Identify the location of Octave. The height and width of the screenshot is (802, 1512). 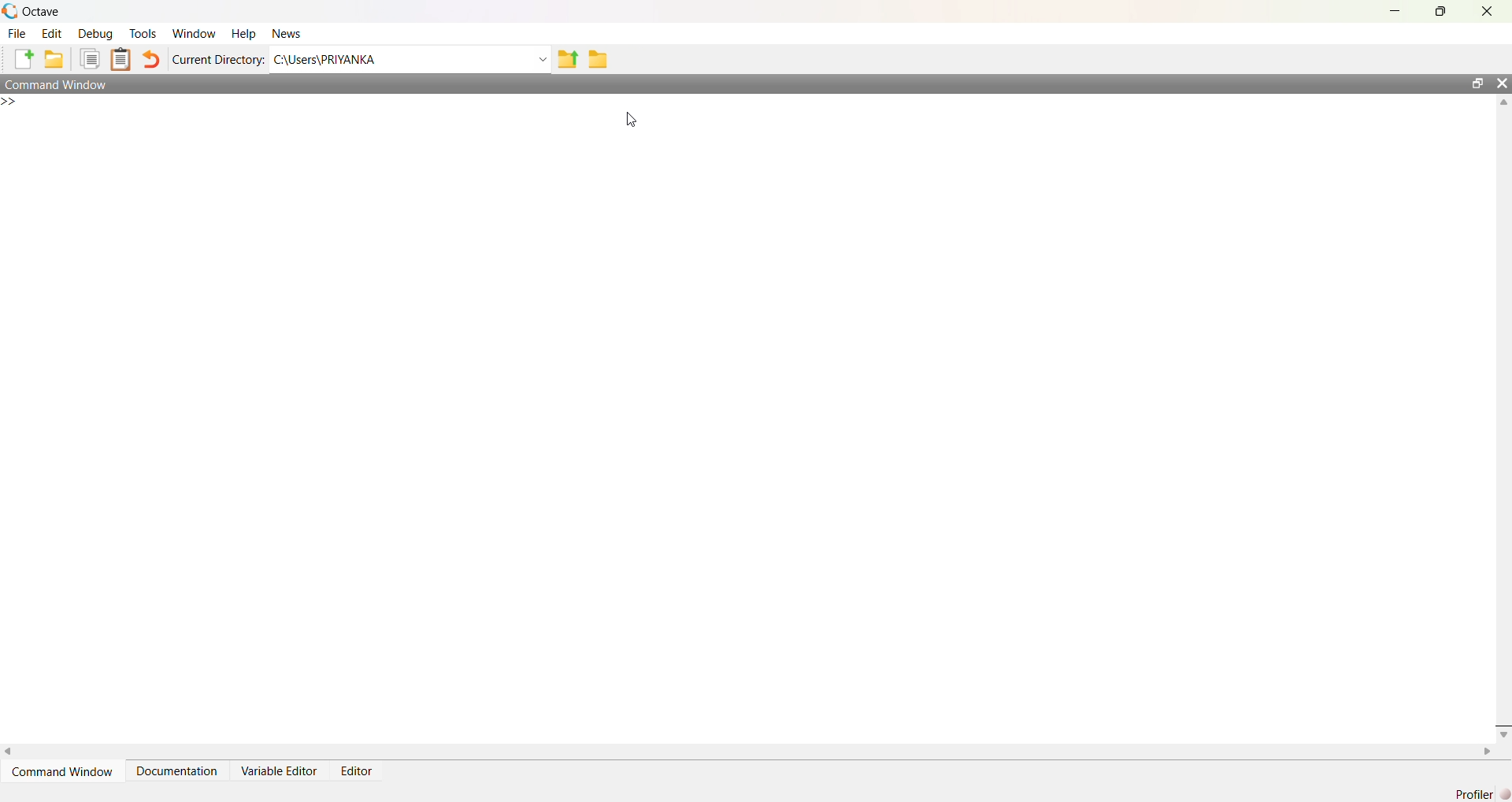
(39, 12).